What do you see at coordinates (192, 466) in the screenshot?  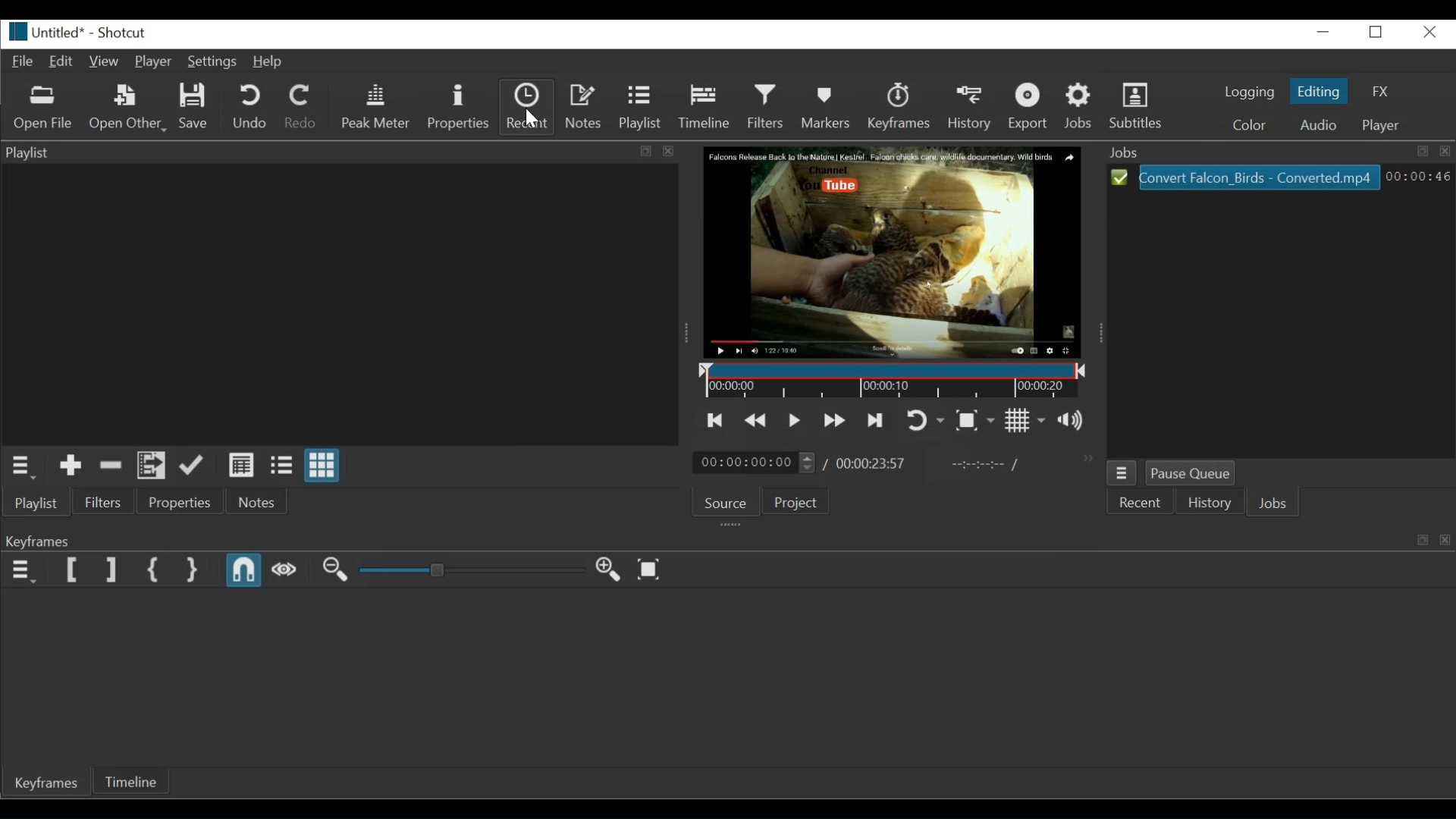 I see `Update` at bounding box center [192, 466].